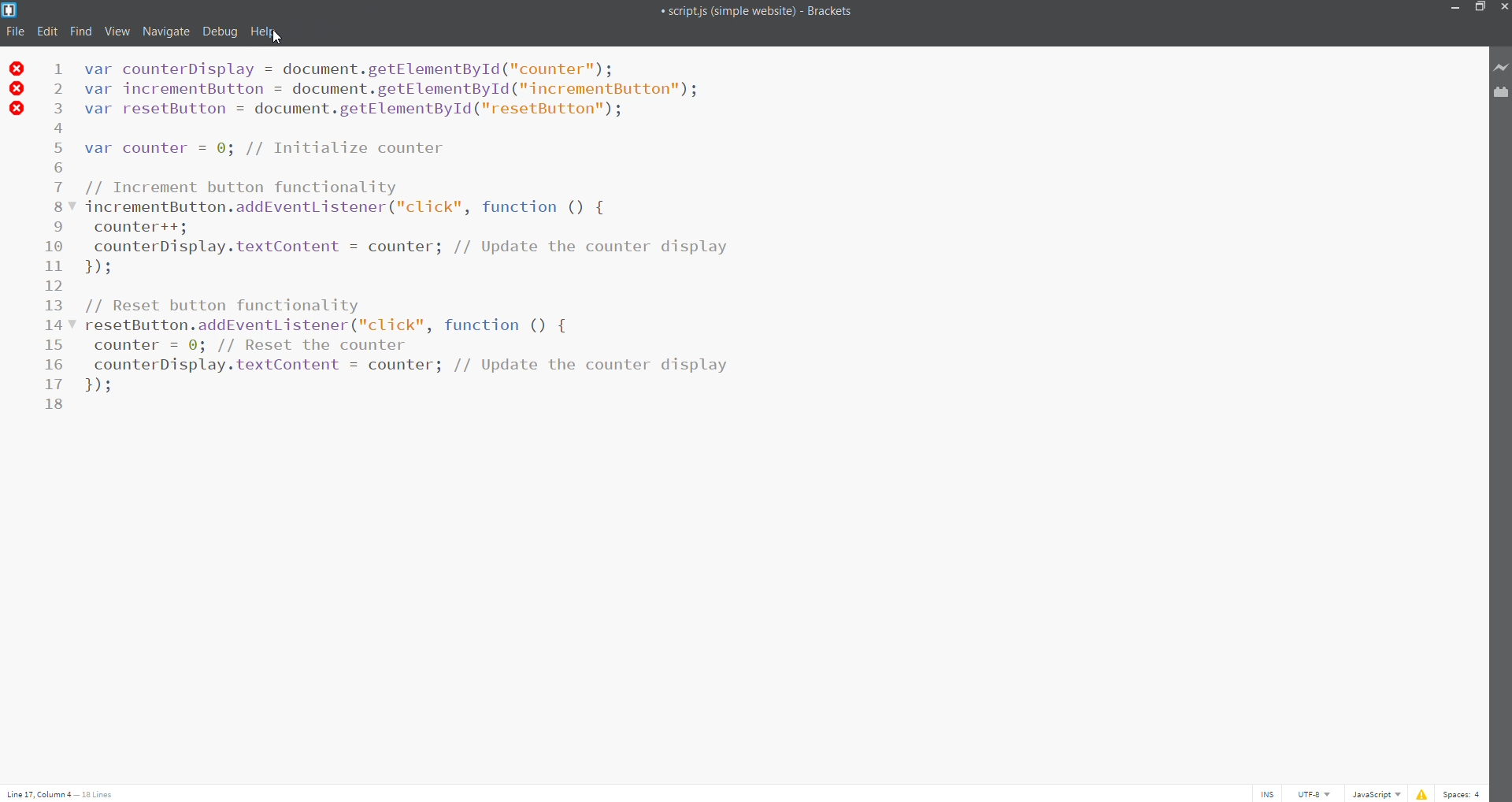  Describe the element at coordinates (66, 791) in the screenshot. I see `cursor position` at that location.